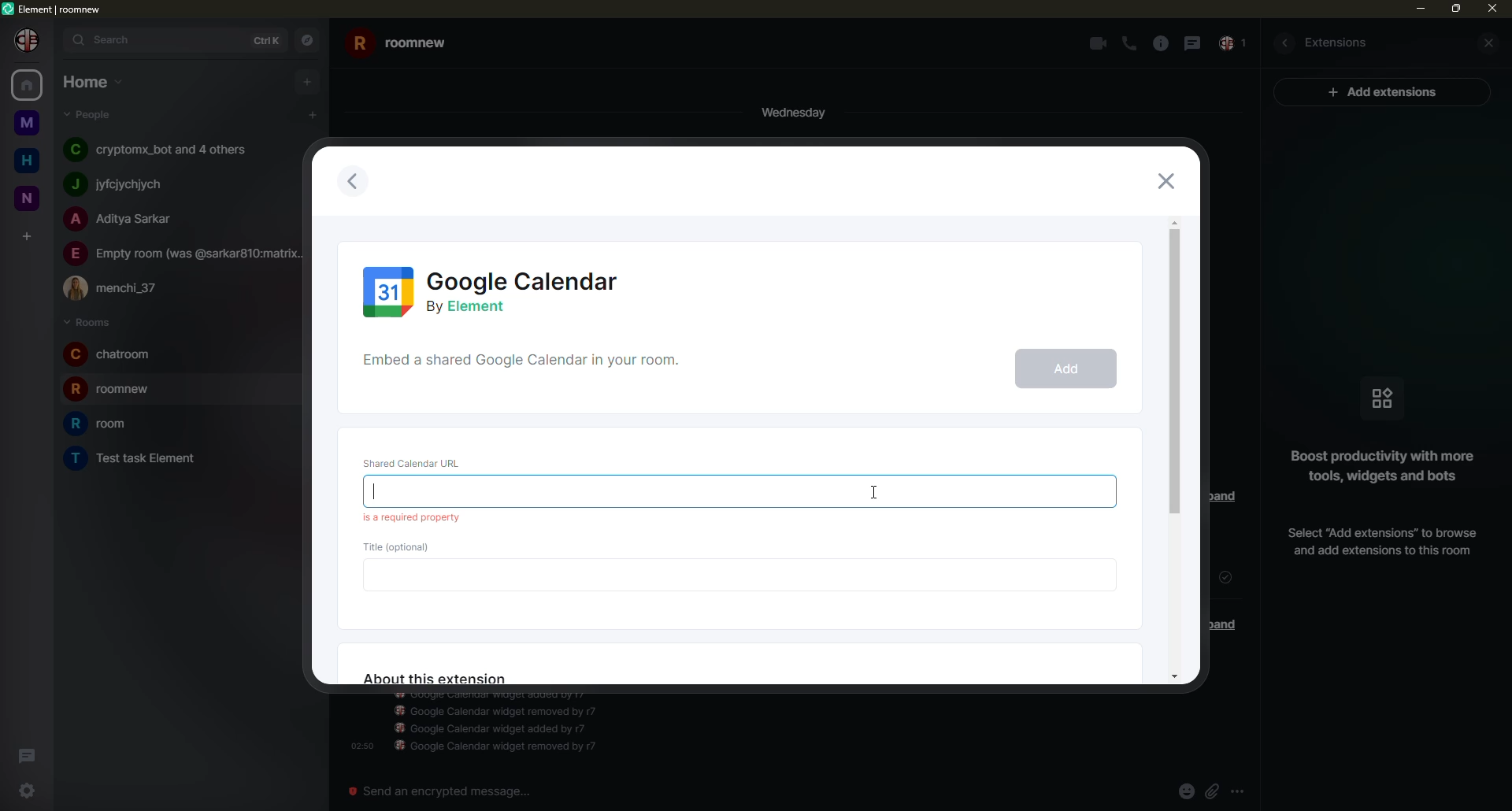  What do you see at coordinates (1415, 9) in the screenshot?
I see `min` at bounding box center [1415, 9].